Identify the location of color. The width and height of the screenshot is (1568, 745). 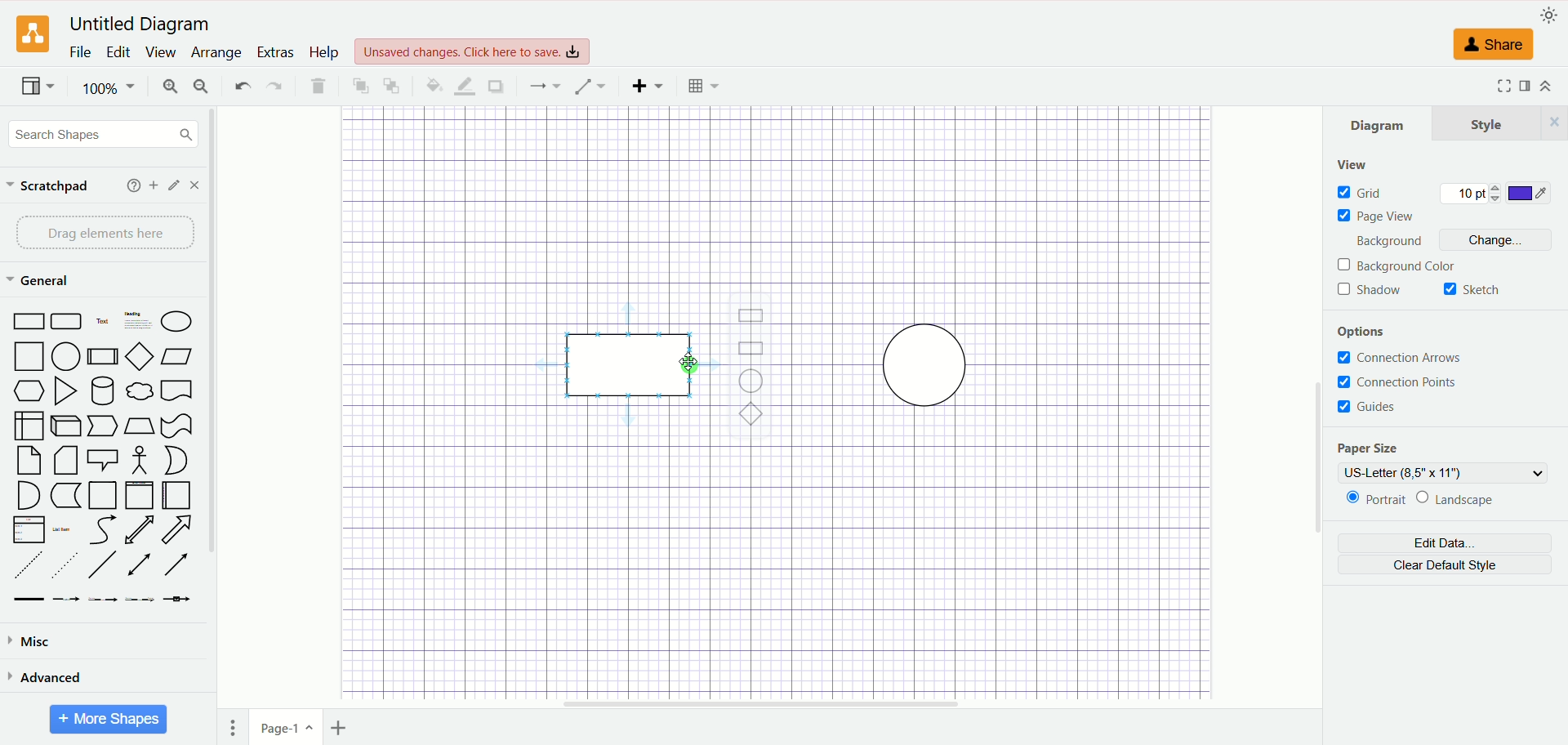
(1527, 191).